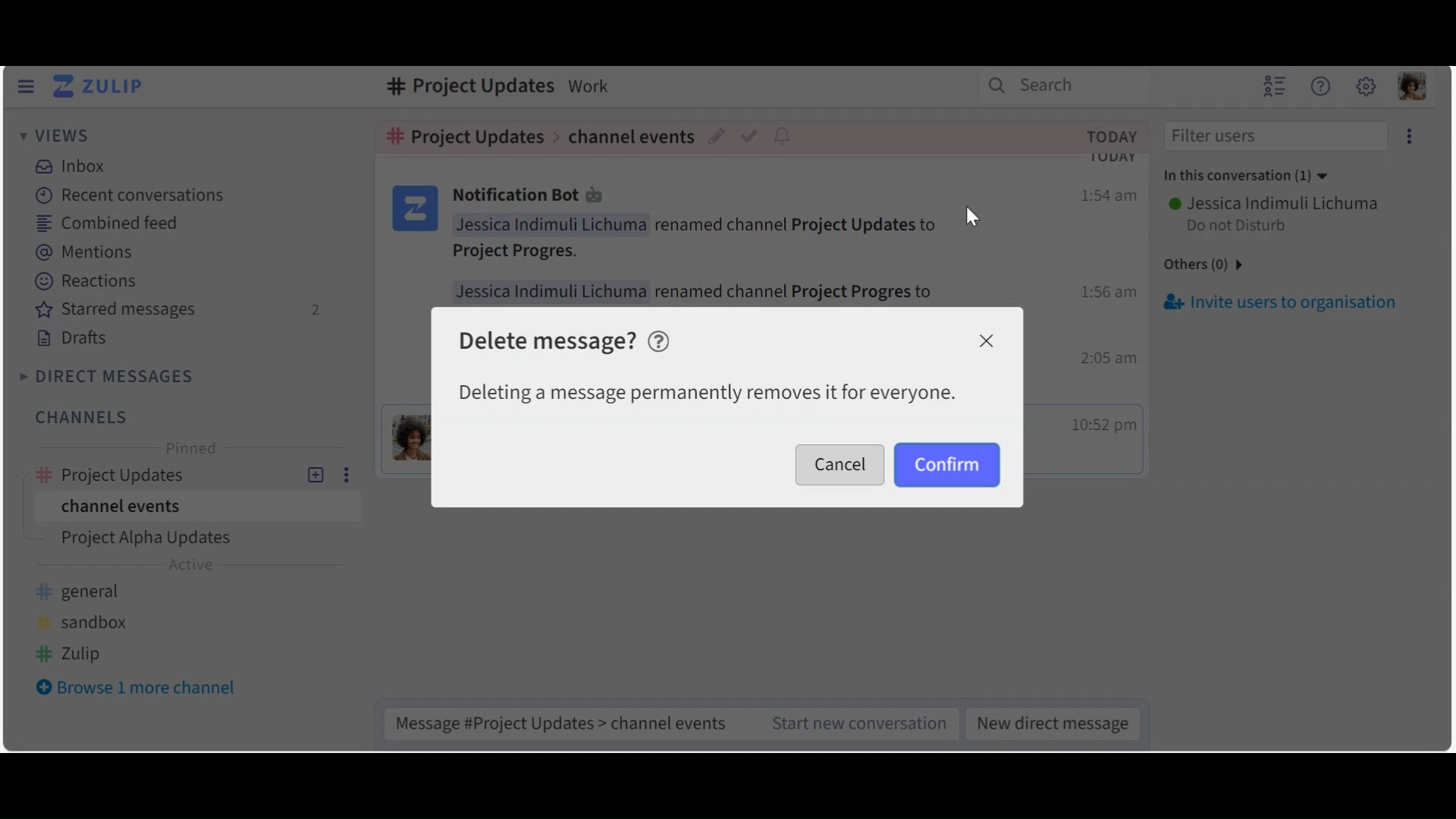 The image size is (1456, 819). Describe the element at coordinates (75, 339) in the screenshot. I see `Drafts` at that location.